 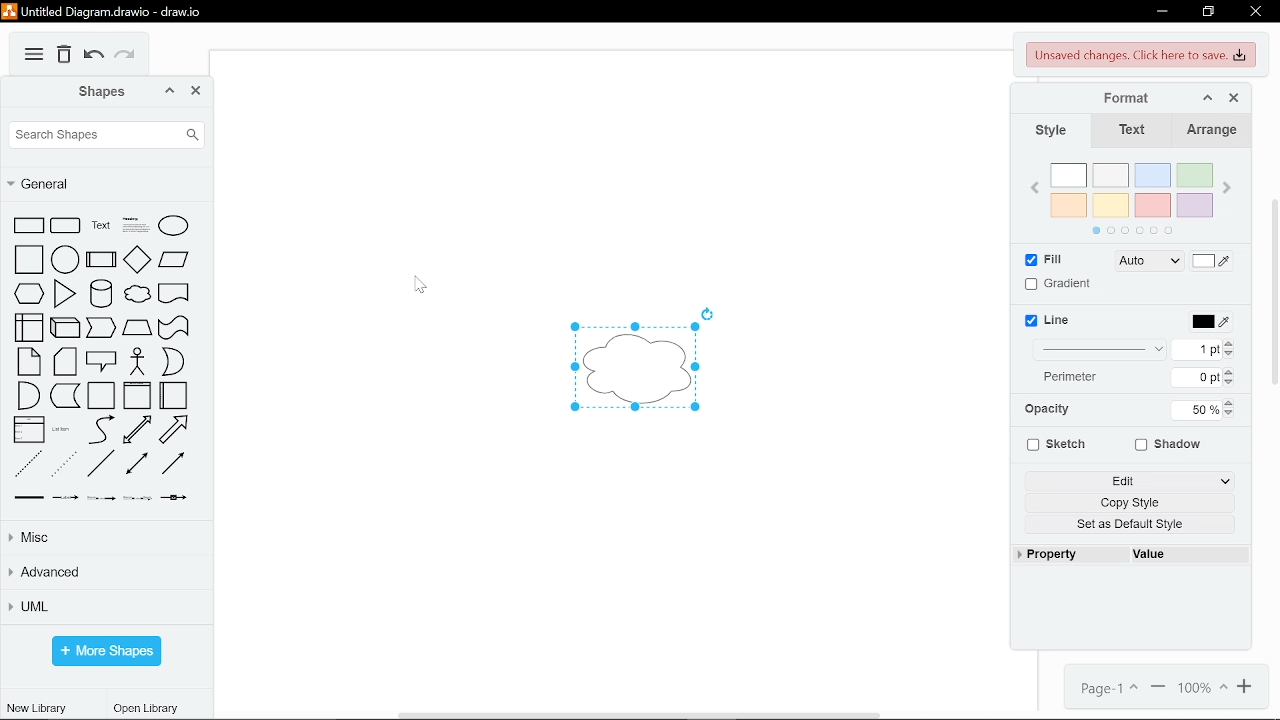 I want to click on shadow, so click(x=1169, y=445).